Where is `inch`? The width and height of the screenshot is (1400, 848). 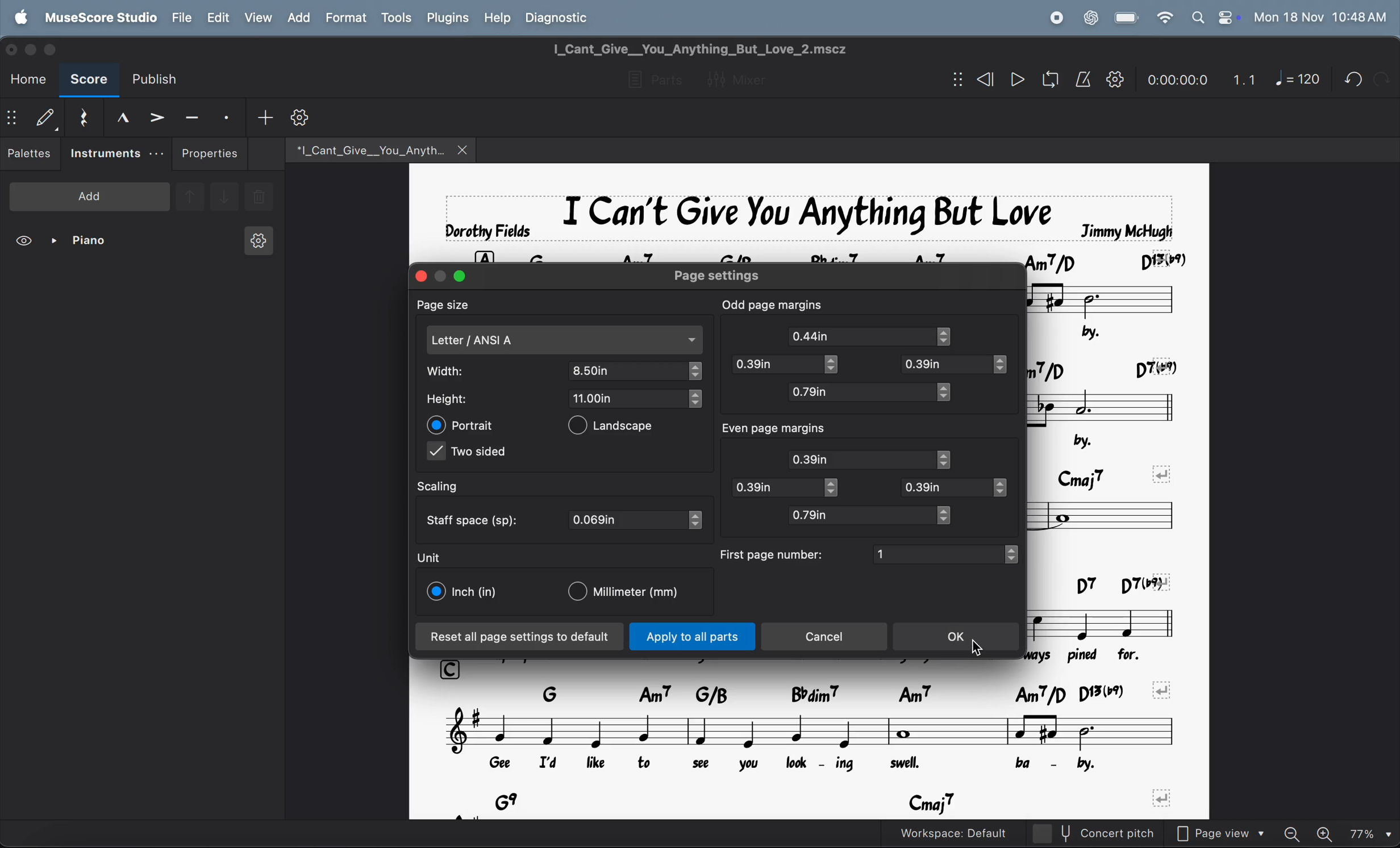 inch is located at coordinates (464, 592).